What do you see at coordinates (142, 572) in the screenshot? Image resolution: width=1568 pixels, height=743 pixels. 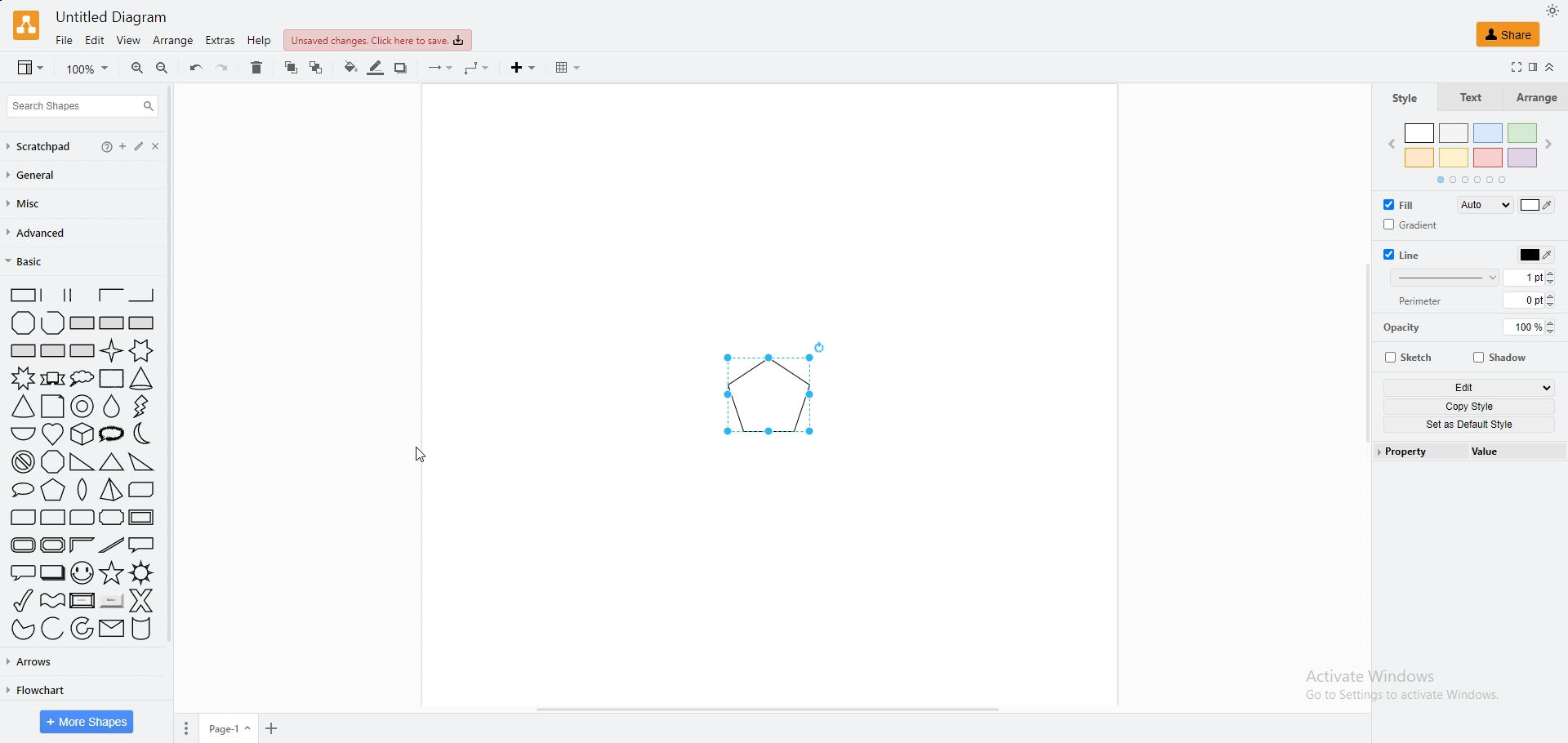 I see `sun` at bounding box center [142, 572].